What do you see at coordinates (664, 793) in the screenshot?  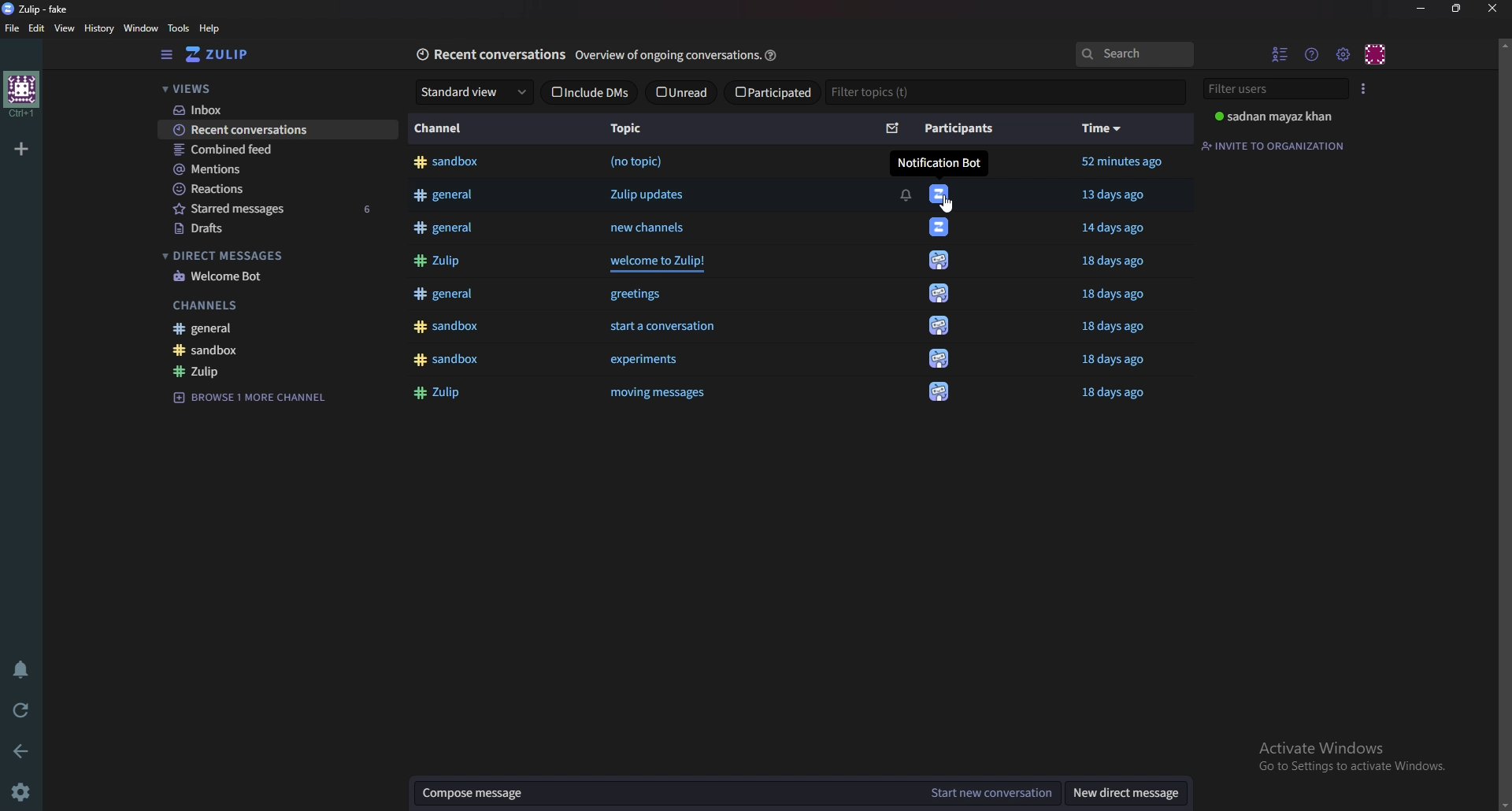 I see `Compose message` at bounding box center [664, 793].